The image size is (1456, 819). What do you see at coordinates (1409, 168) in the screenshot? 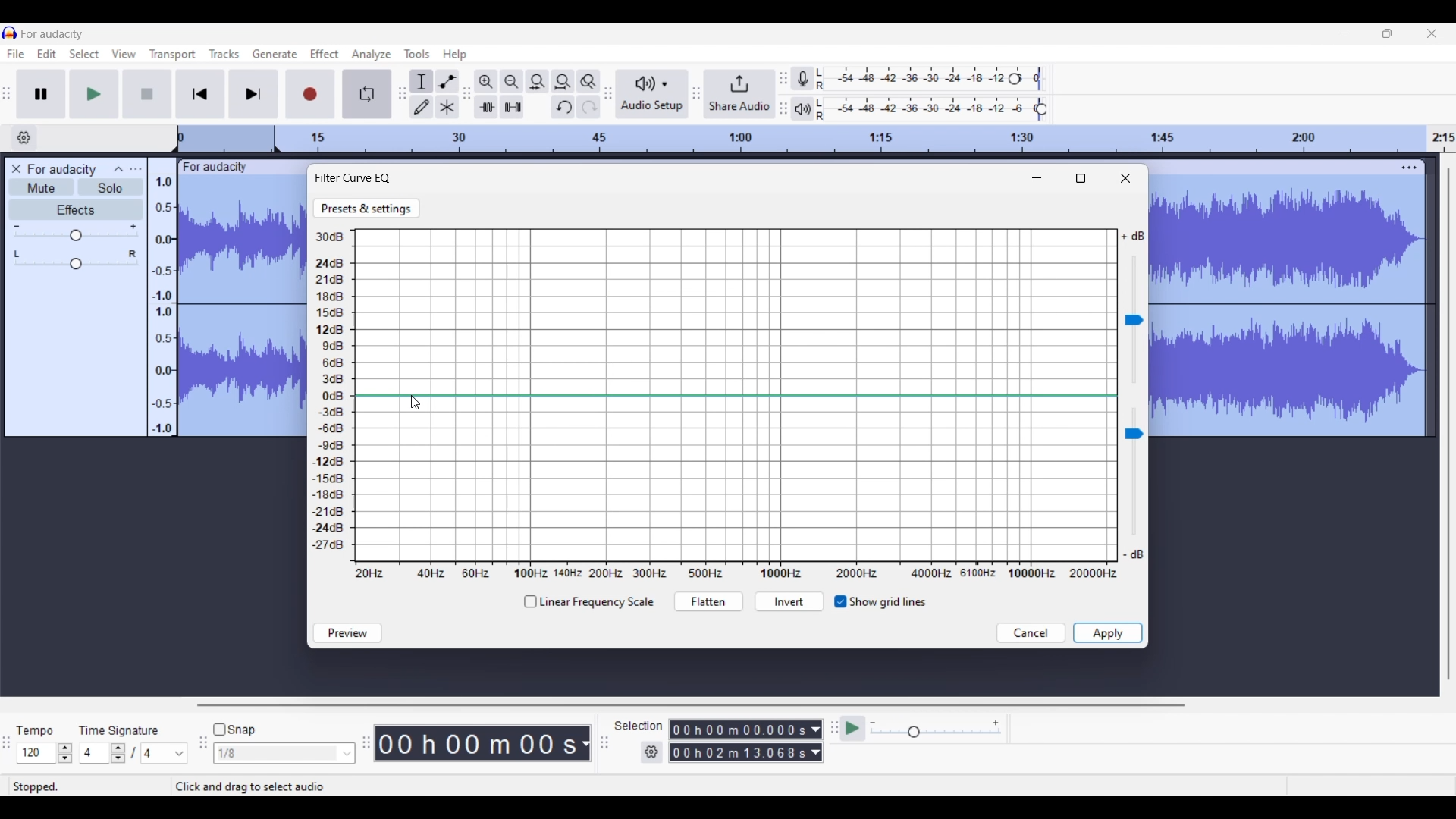
I see `Track settings` at bounding box center [1409, 168].